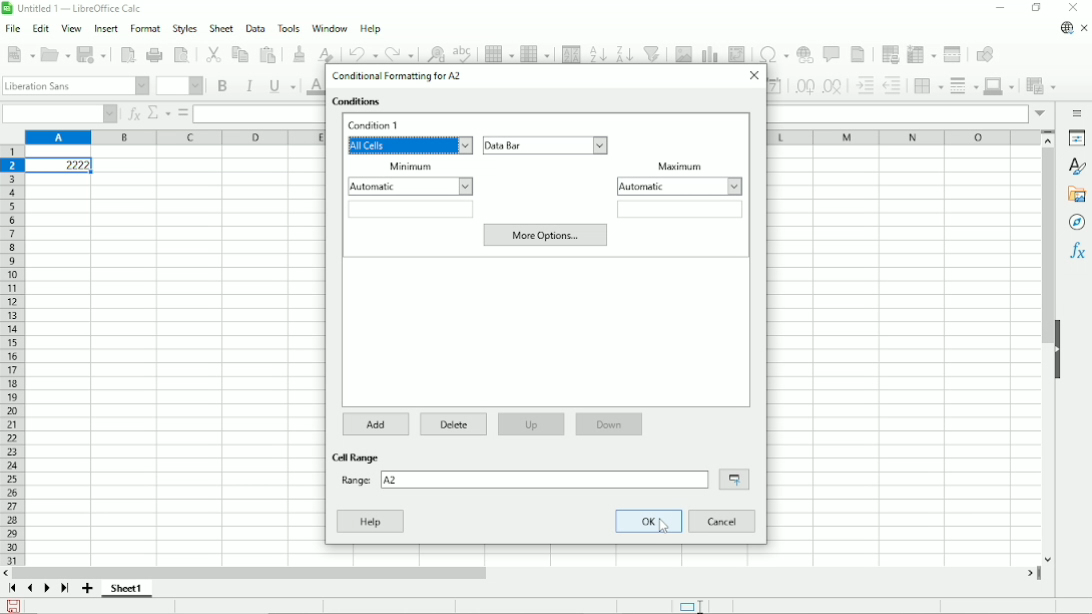 This screenshot has height=614, width=1092. I want to click on Copy, so click(240, 53).